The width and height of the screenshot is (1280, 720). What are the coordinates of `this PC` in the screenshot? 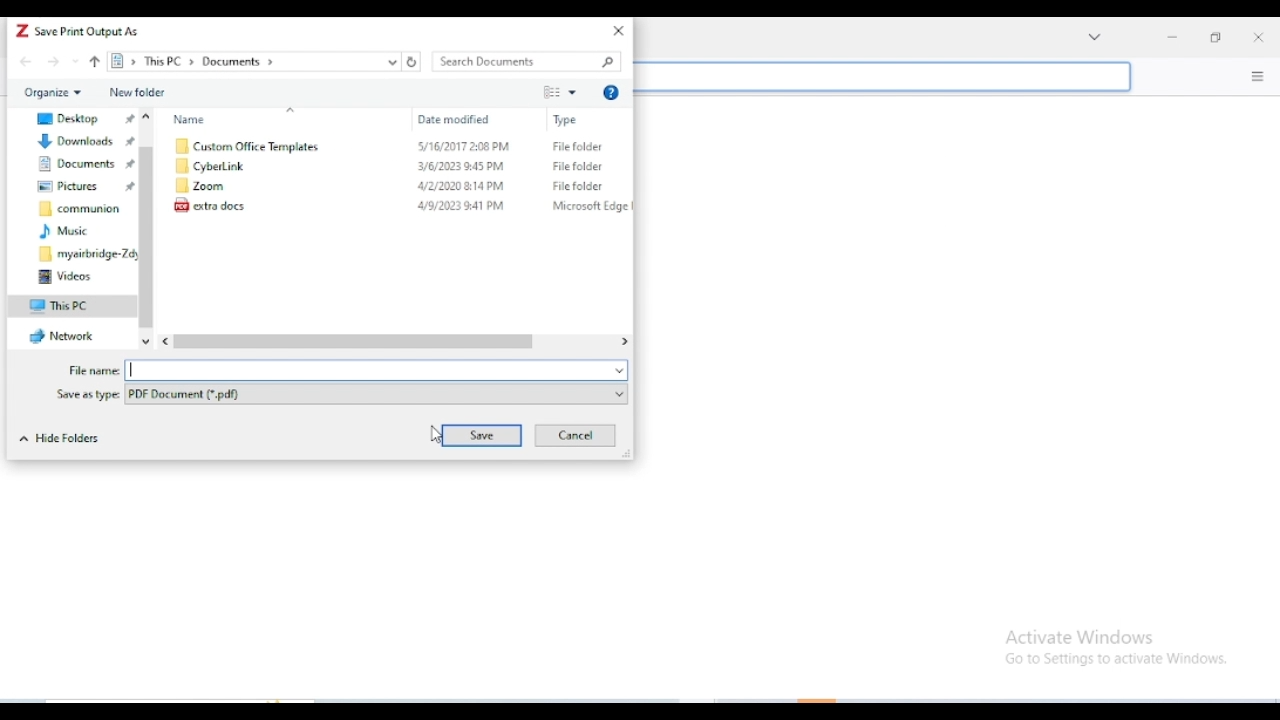 It's located at (63, 304).